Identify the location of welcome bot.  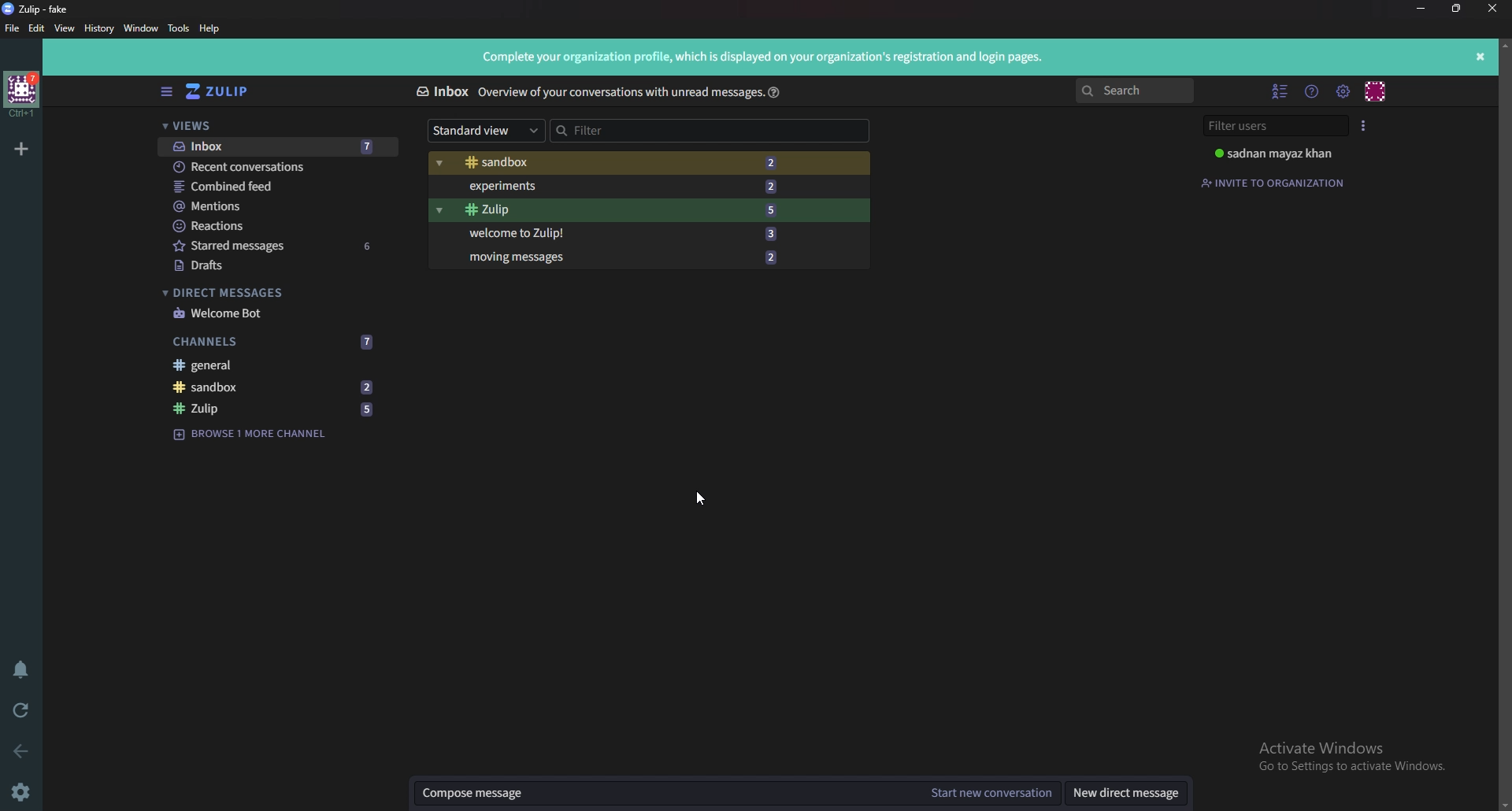
(278, 313).